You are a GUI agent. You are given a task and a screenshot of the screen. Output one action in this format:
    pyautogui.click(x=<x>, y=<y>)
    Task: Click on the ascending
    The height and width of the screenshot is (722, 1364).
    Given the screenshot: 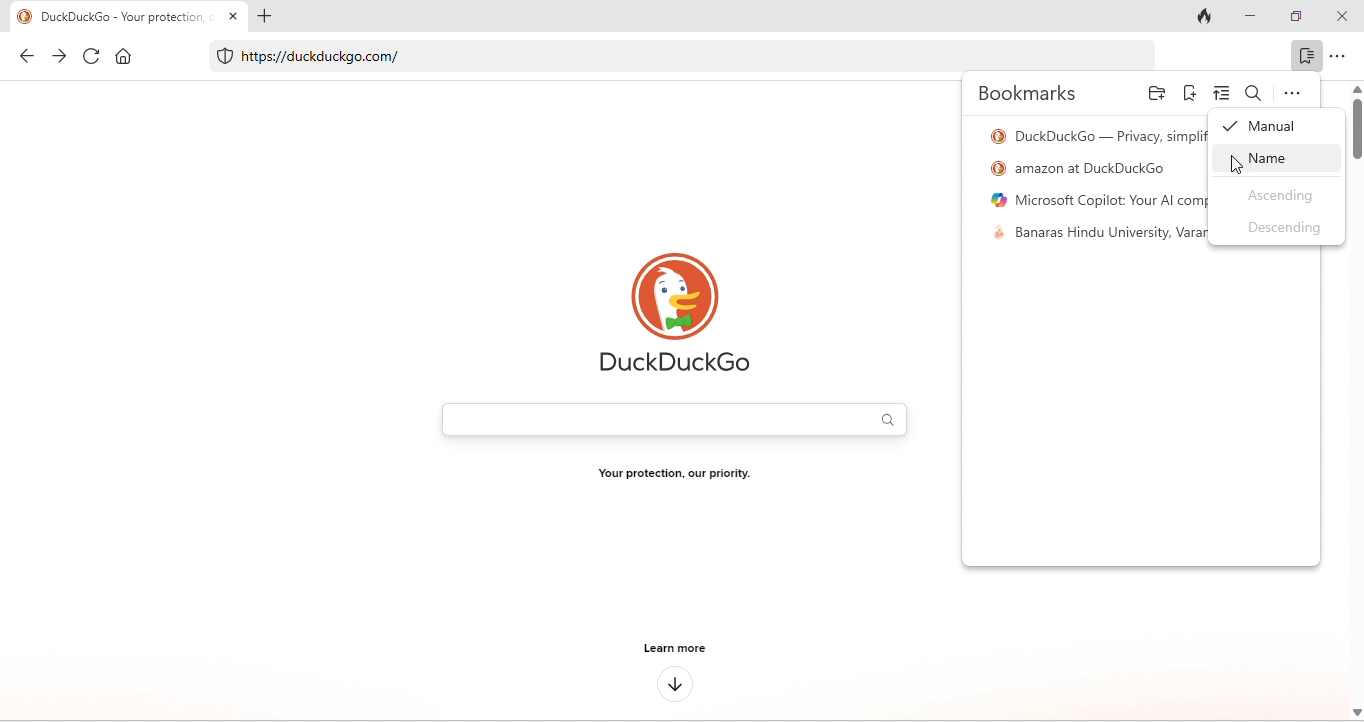 What is the action you would take?
    pyautogui.click(x=1275, y=196)
    